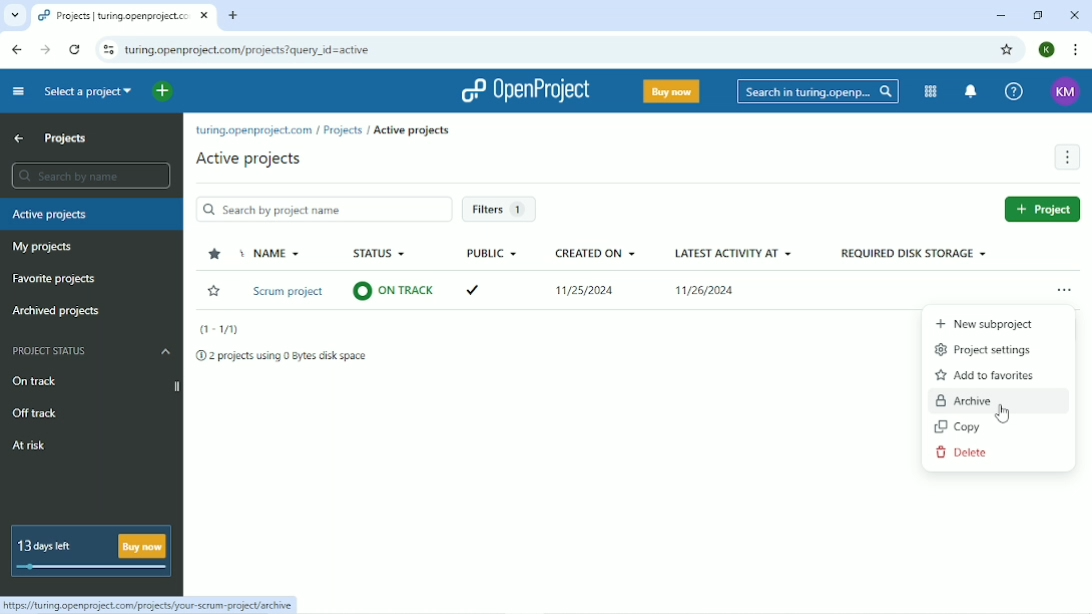  I want to click on KM, so click(1065, 92).